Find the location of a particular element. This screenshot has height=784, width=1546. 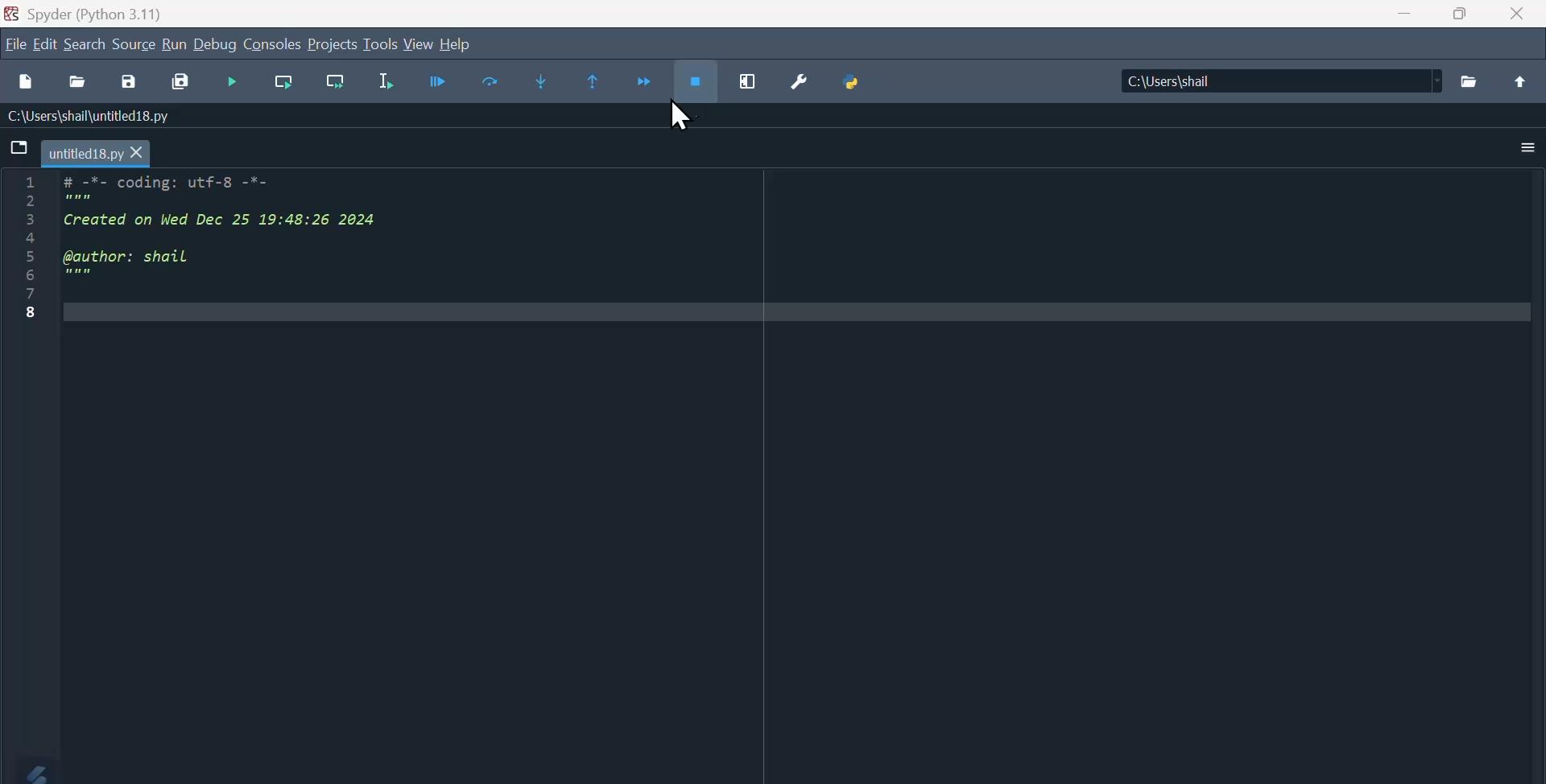

More options is located at coordinates (1519, 149).